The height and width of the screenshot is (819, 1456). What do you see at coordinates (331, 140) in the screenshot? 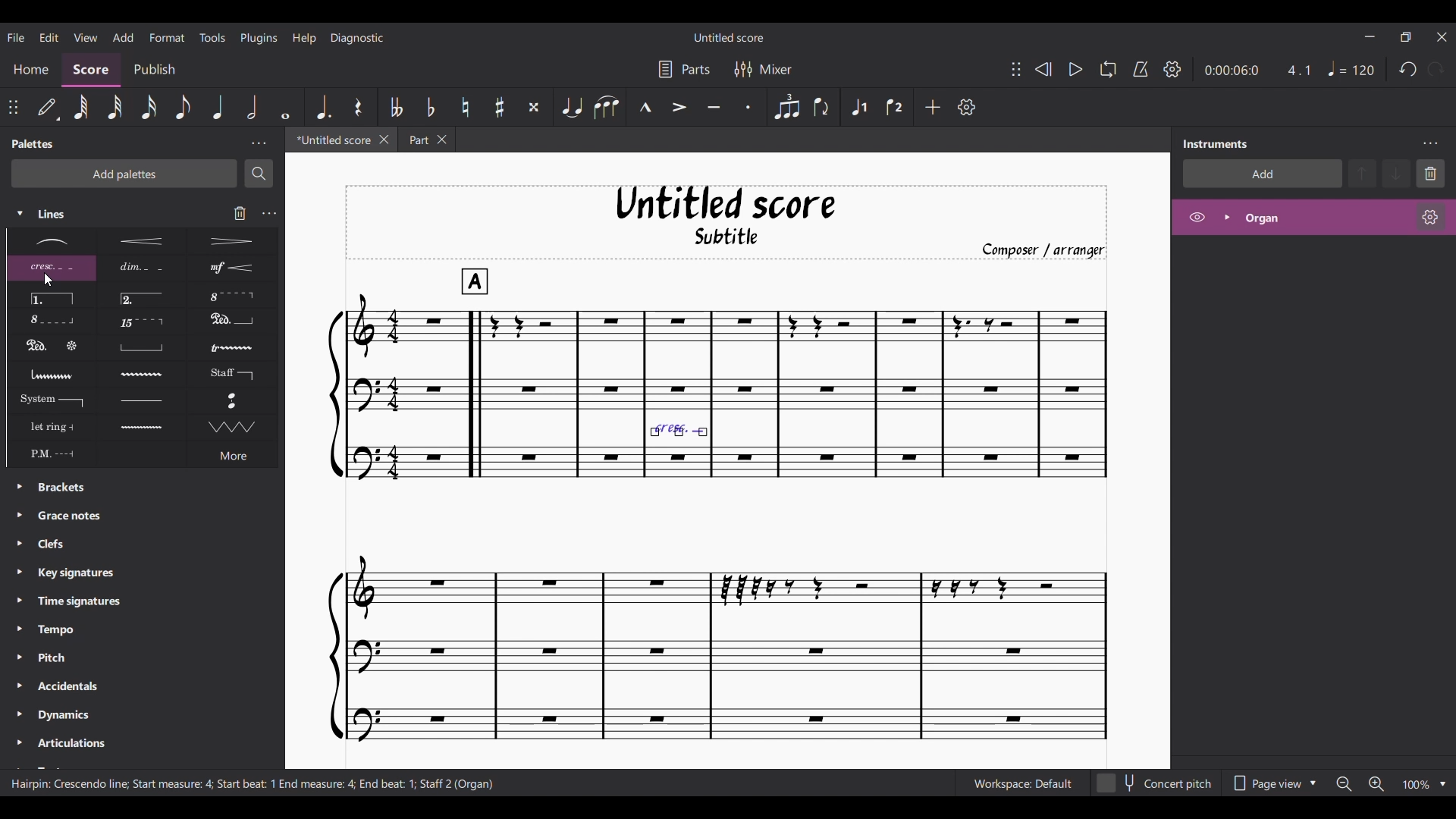
I see `Current tab` at bounding box center [331, 140].